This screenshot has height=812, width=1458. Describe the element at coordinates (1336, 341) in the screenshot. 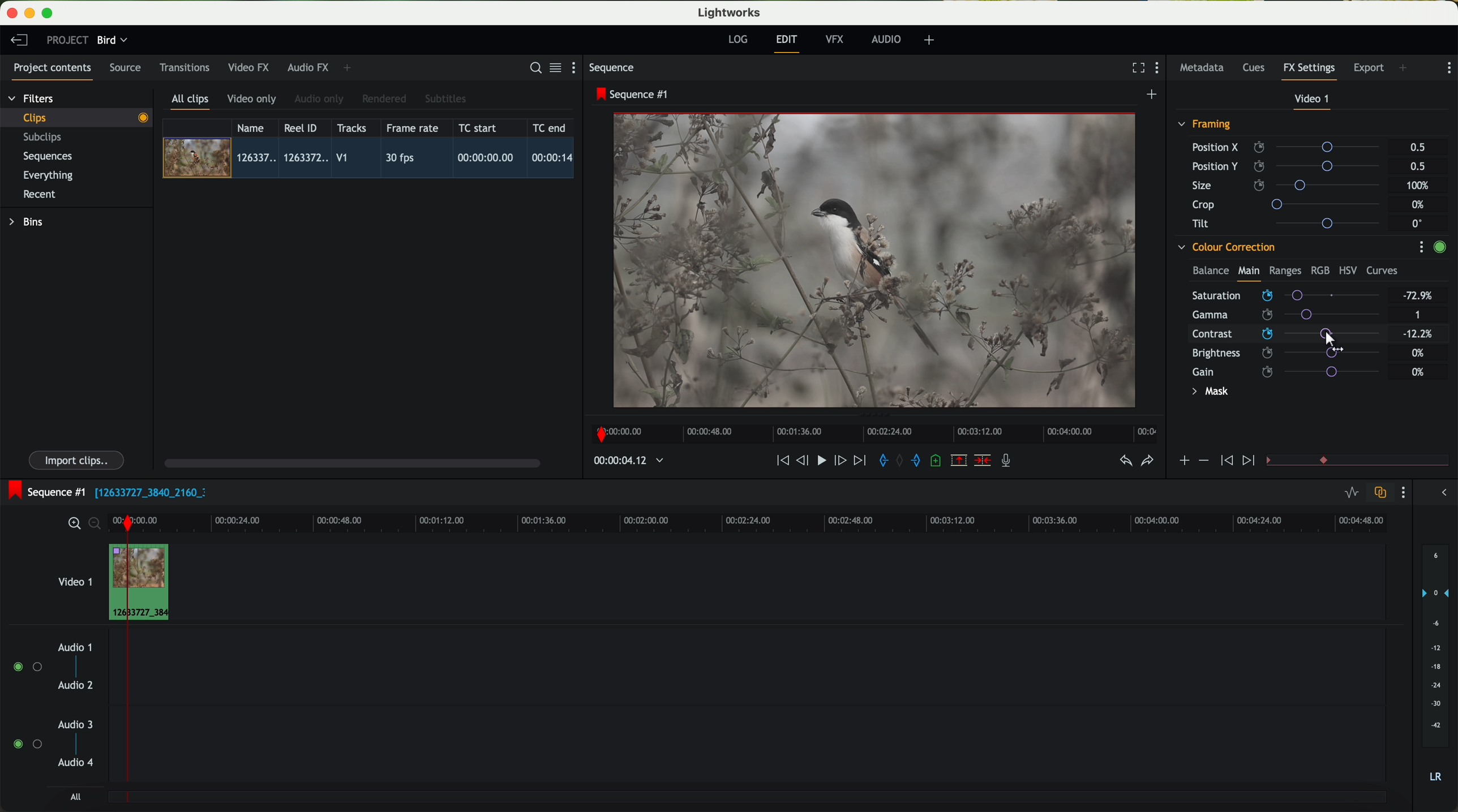

I see `drag to` at that location.